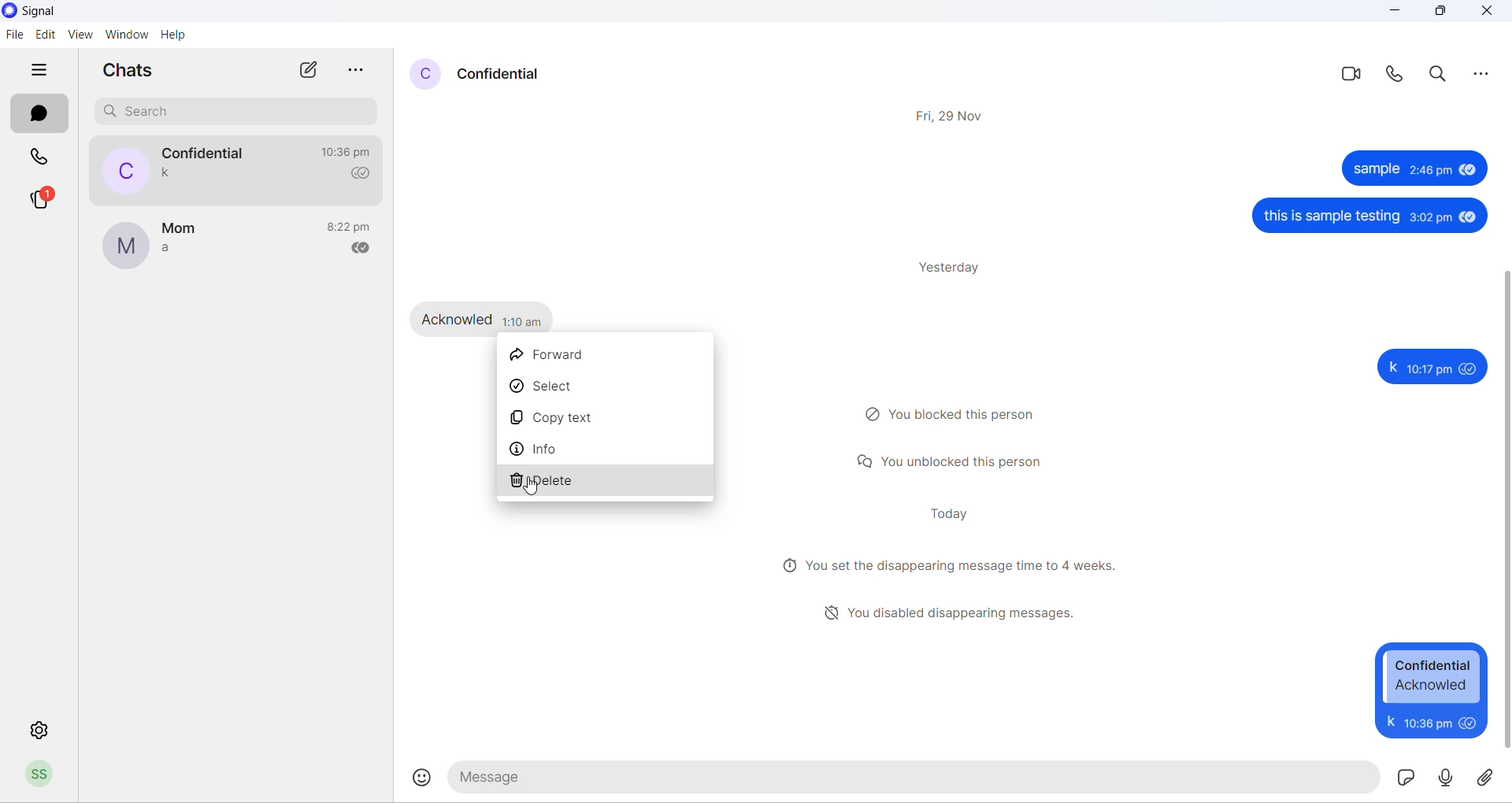  Describe the element at coordinates (1404, 776) in the screenshot. I see `sticker` at that location.